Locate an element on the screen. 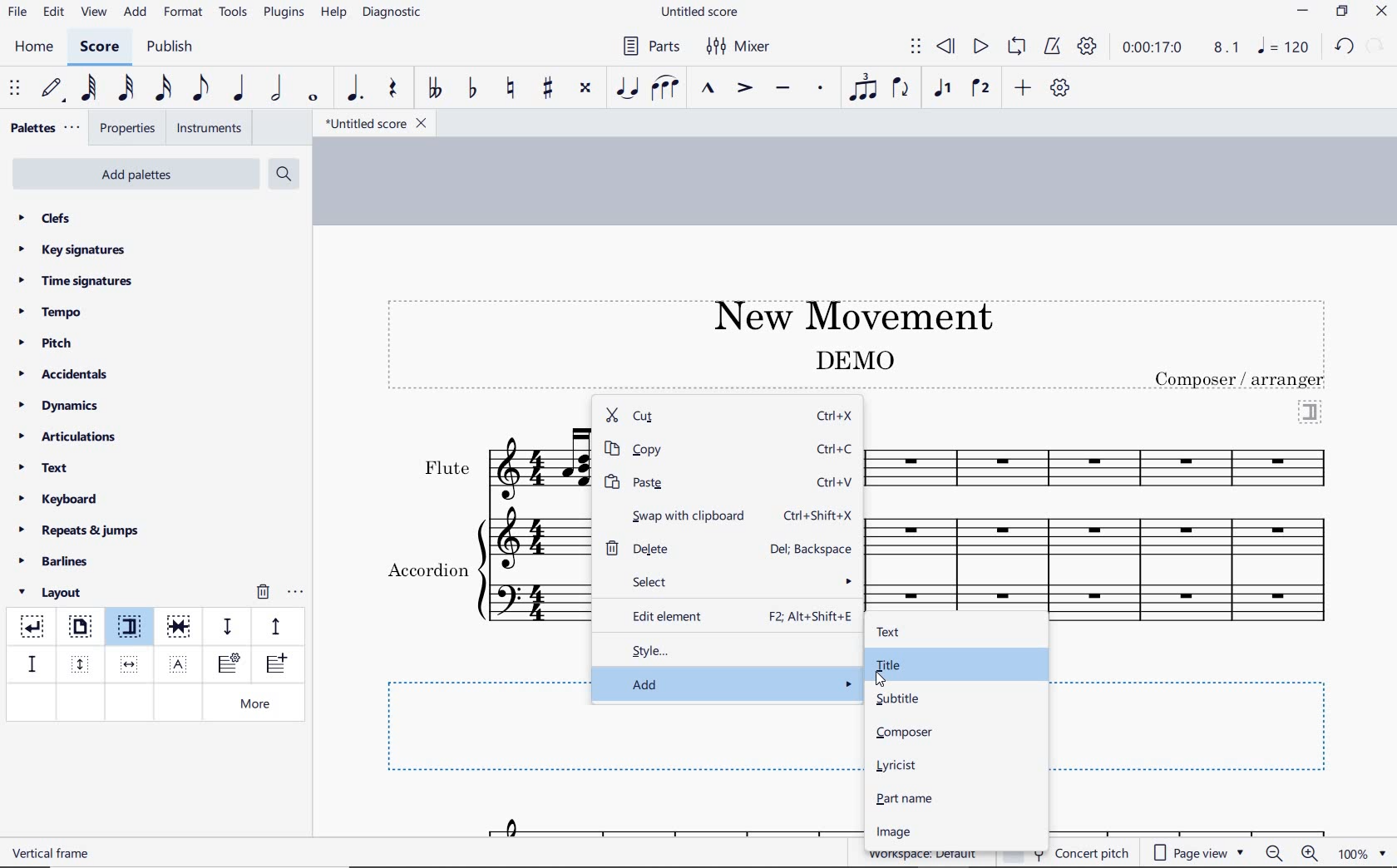  toggle double-flat is located at coordinates (434, 89).